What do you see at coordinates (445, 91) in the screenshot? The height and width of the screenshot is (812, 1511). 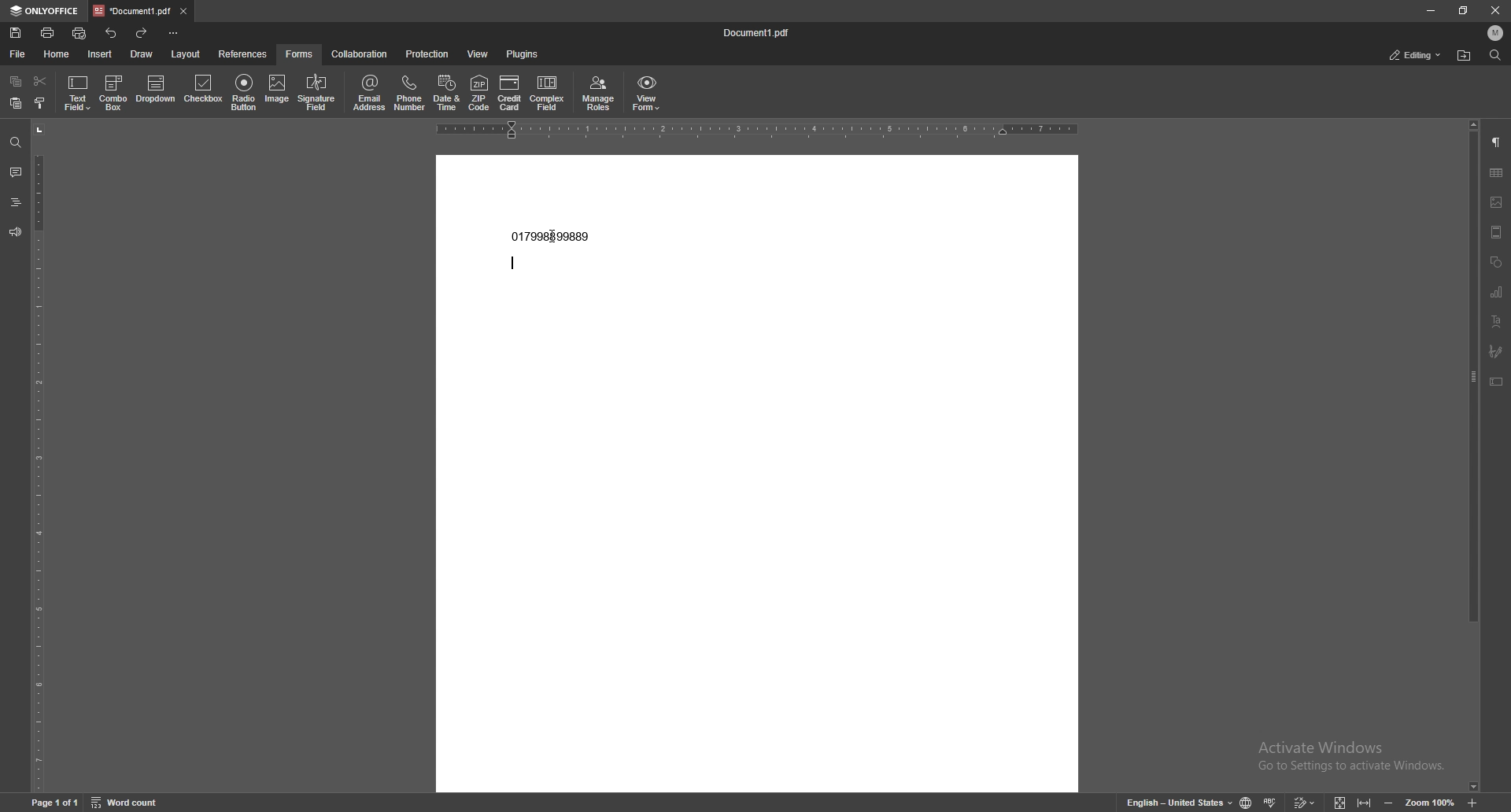 I see `date and time` at bounding box center [445, 91].